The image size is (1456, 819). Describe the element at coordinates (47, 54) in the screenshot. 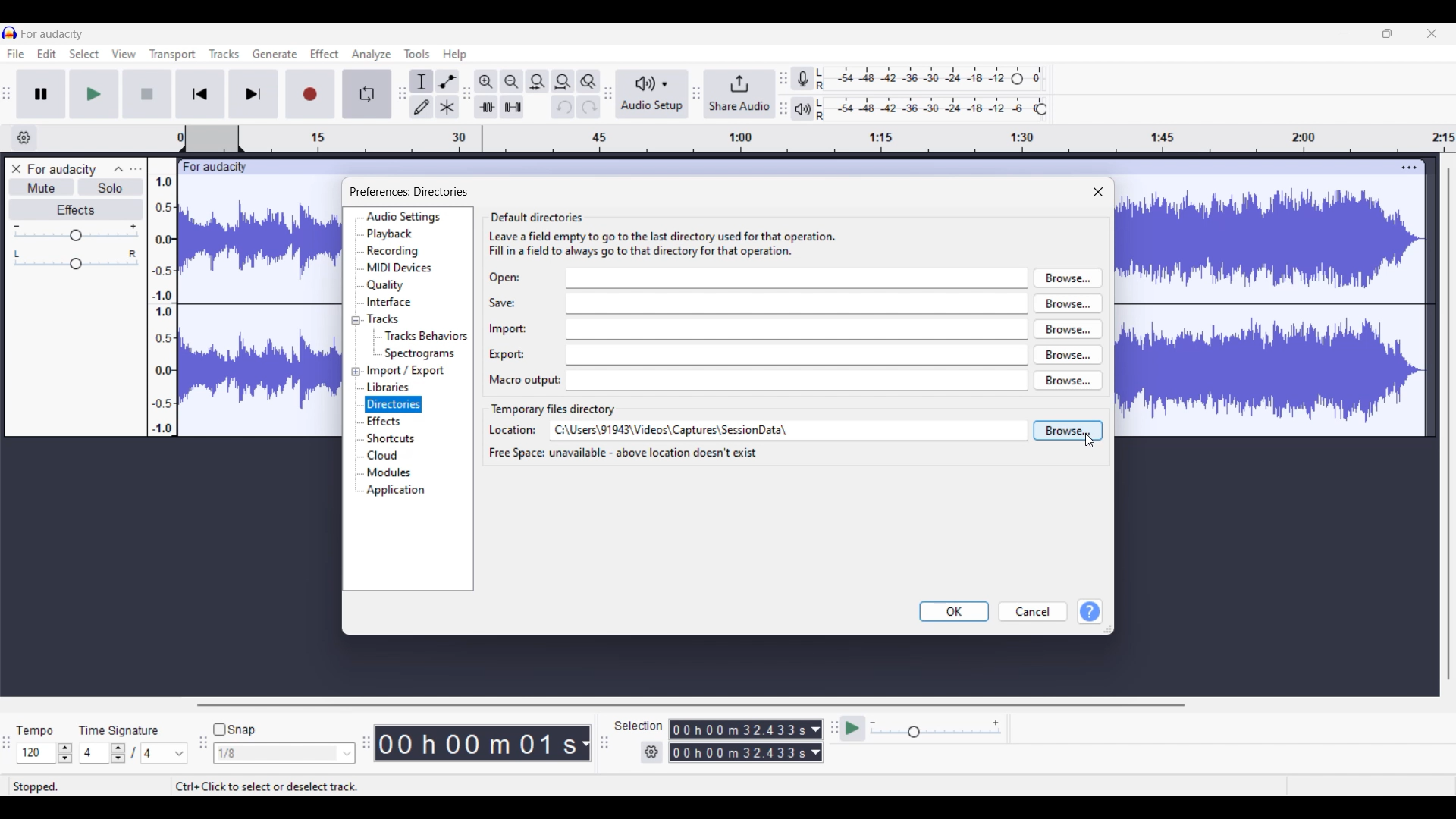

I see `Edit menu` at that location.